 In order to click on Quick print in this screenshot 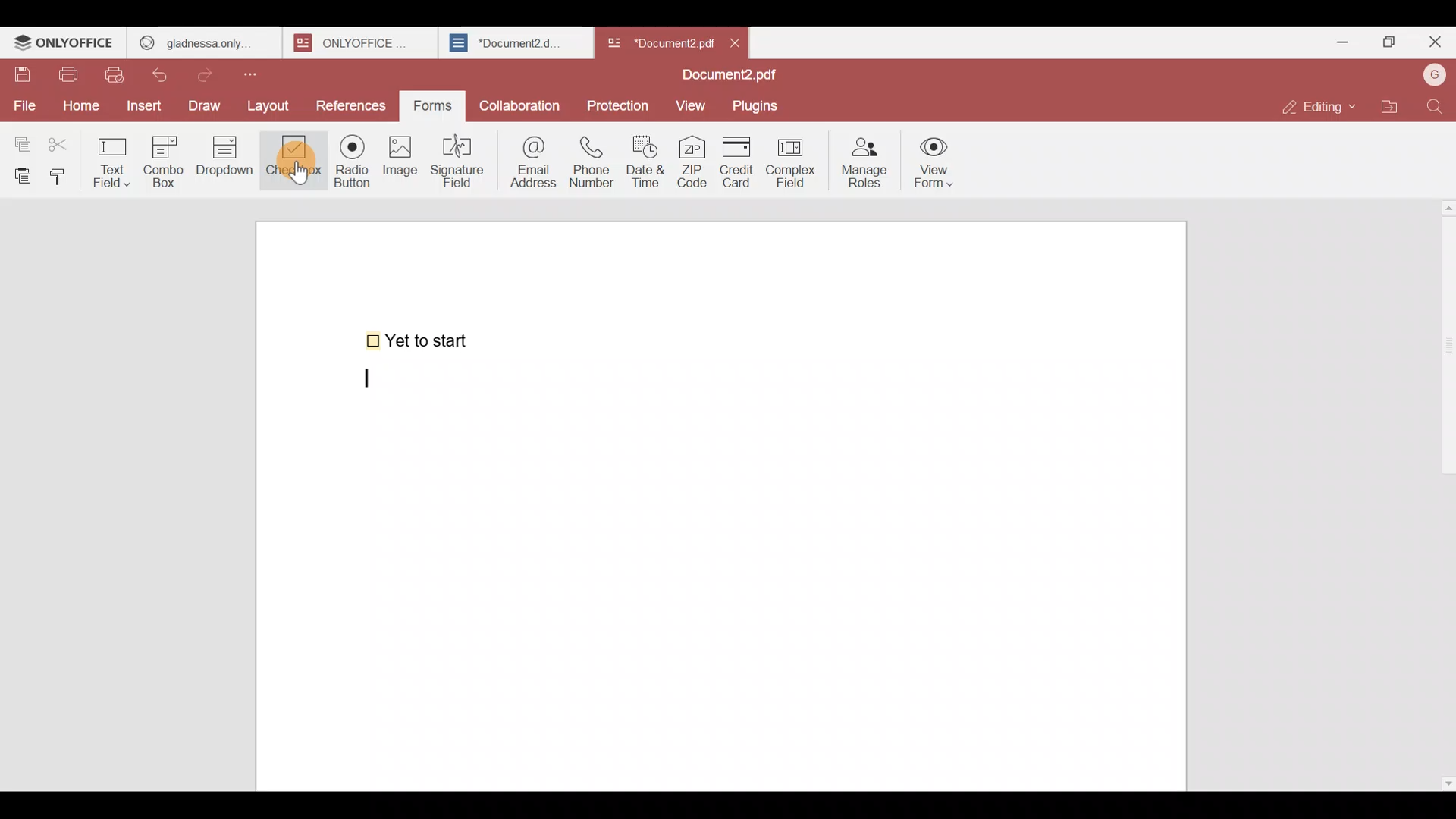, I will do `click(119, 74)`.